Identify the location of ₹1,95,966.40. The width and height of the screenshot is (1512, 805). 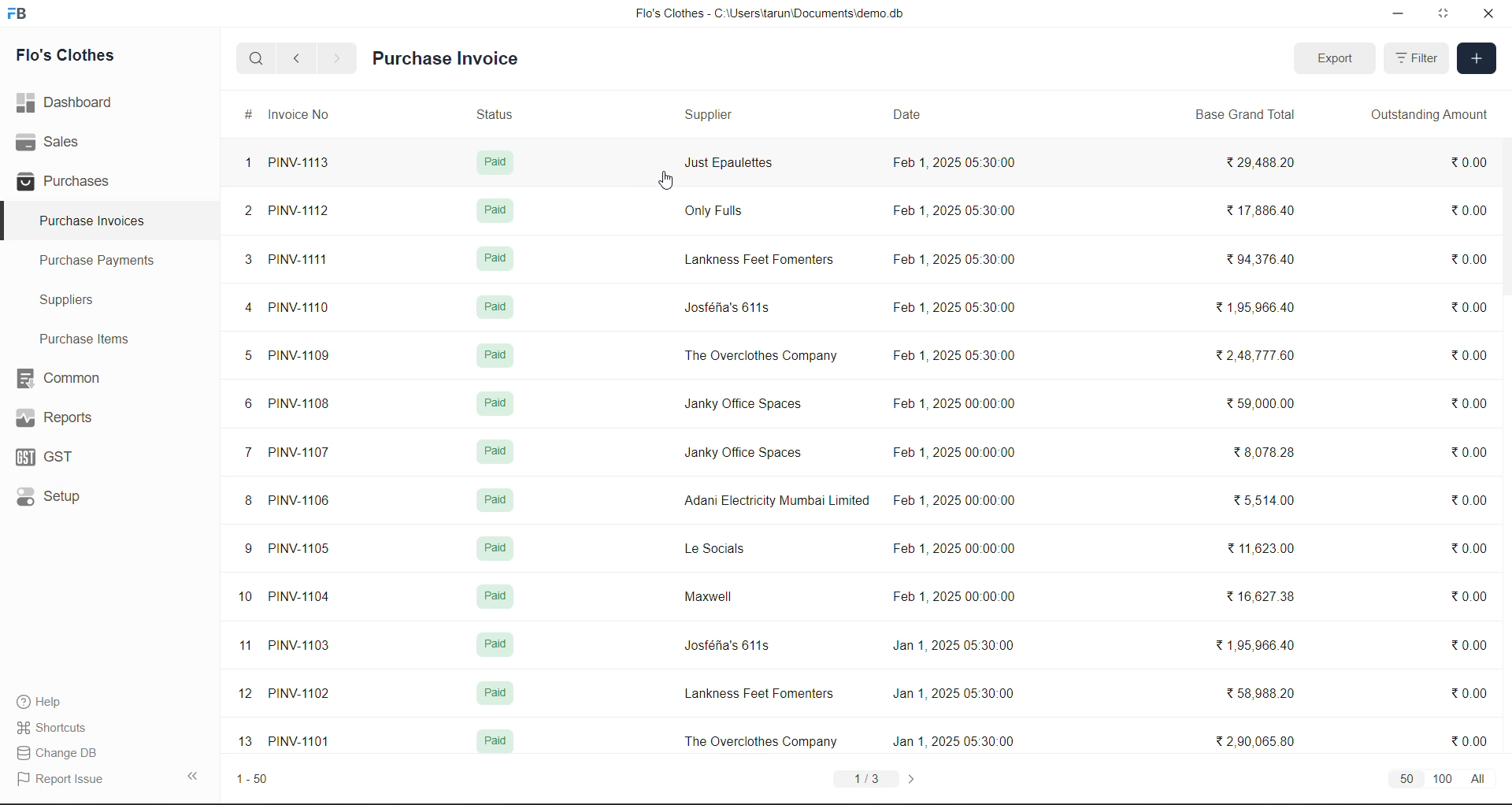
(1264, 647).